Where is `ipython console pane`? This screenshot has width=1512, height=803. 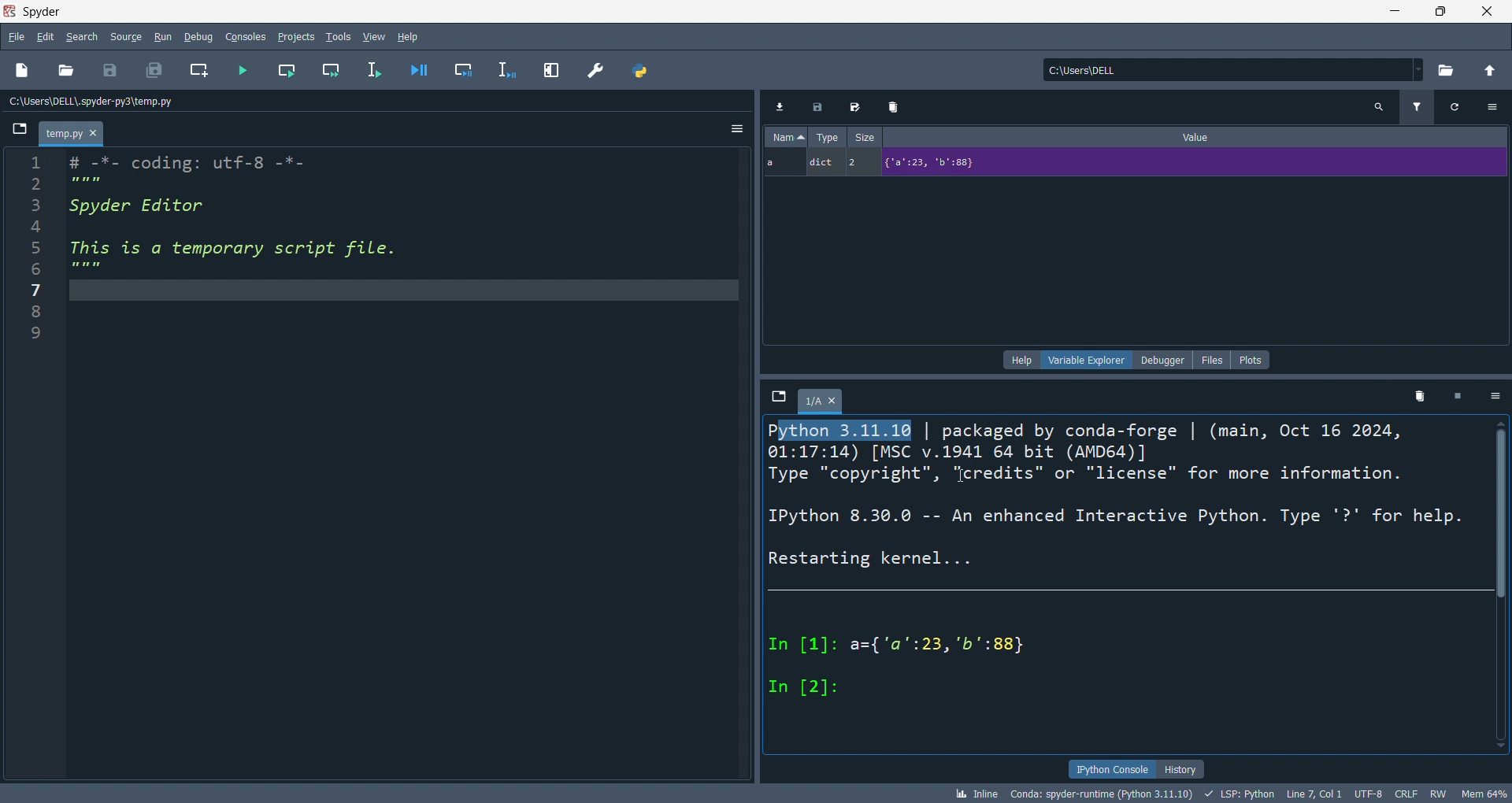
ipython console pane is located at coordinates (1127, 599).